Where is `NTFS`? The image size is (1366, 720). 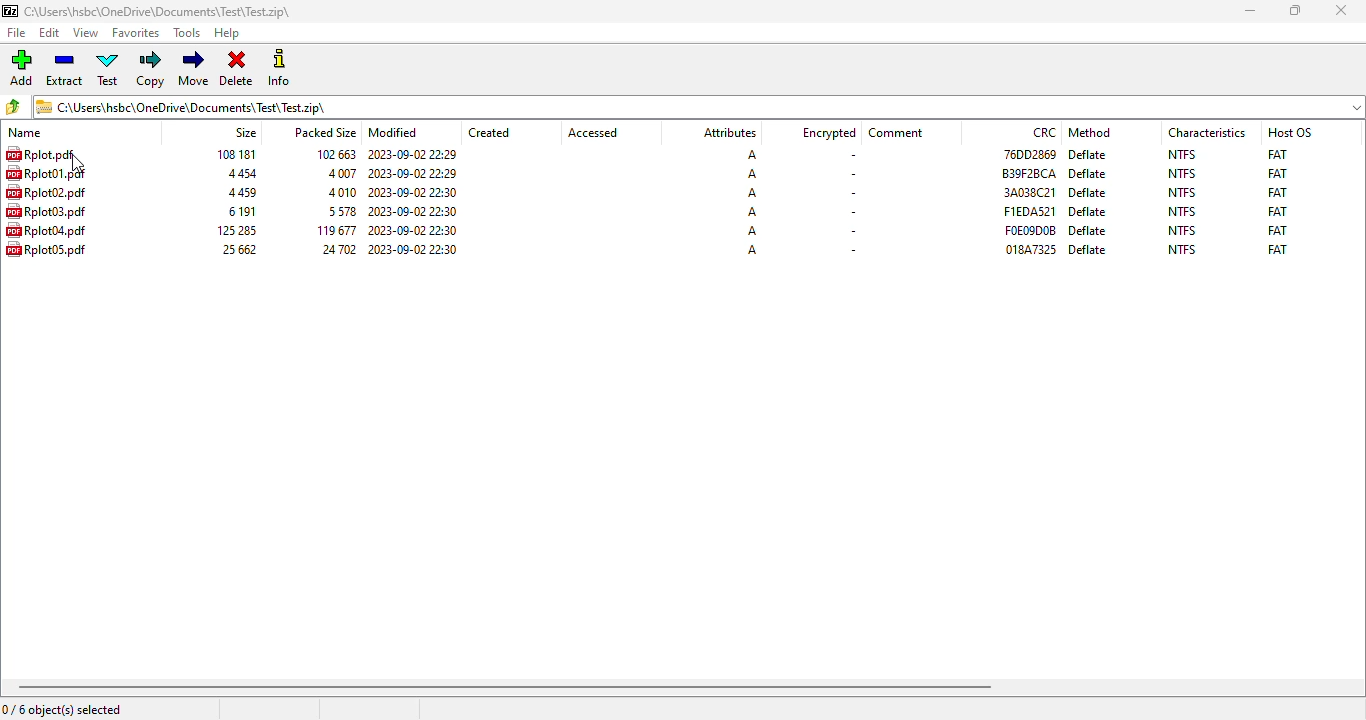
NTFS is located at coordinates (1182, 154).